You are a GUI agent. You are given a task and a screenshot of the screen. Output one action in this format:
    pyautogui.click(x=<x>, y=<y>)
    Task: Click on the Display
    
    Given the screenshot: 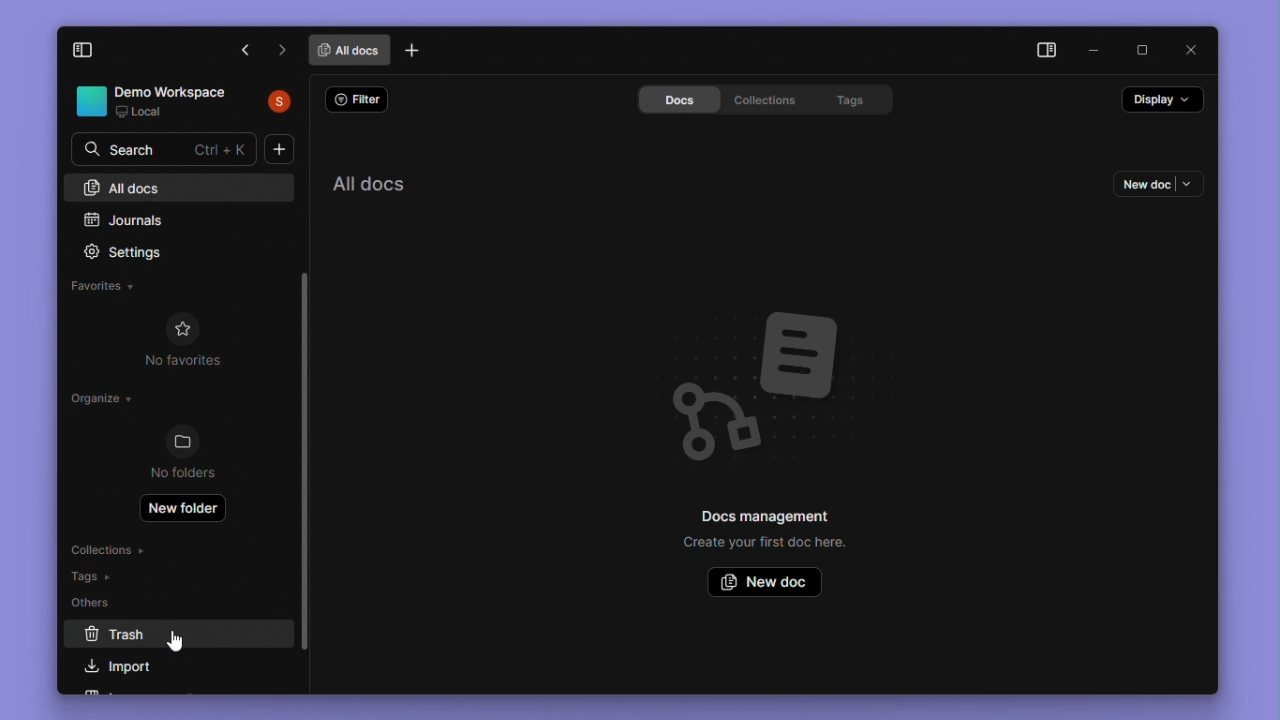 What is the action you would take?
    pyautogui.click(x=1163, y=100)
    